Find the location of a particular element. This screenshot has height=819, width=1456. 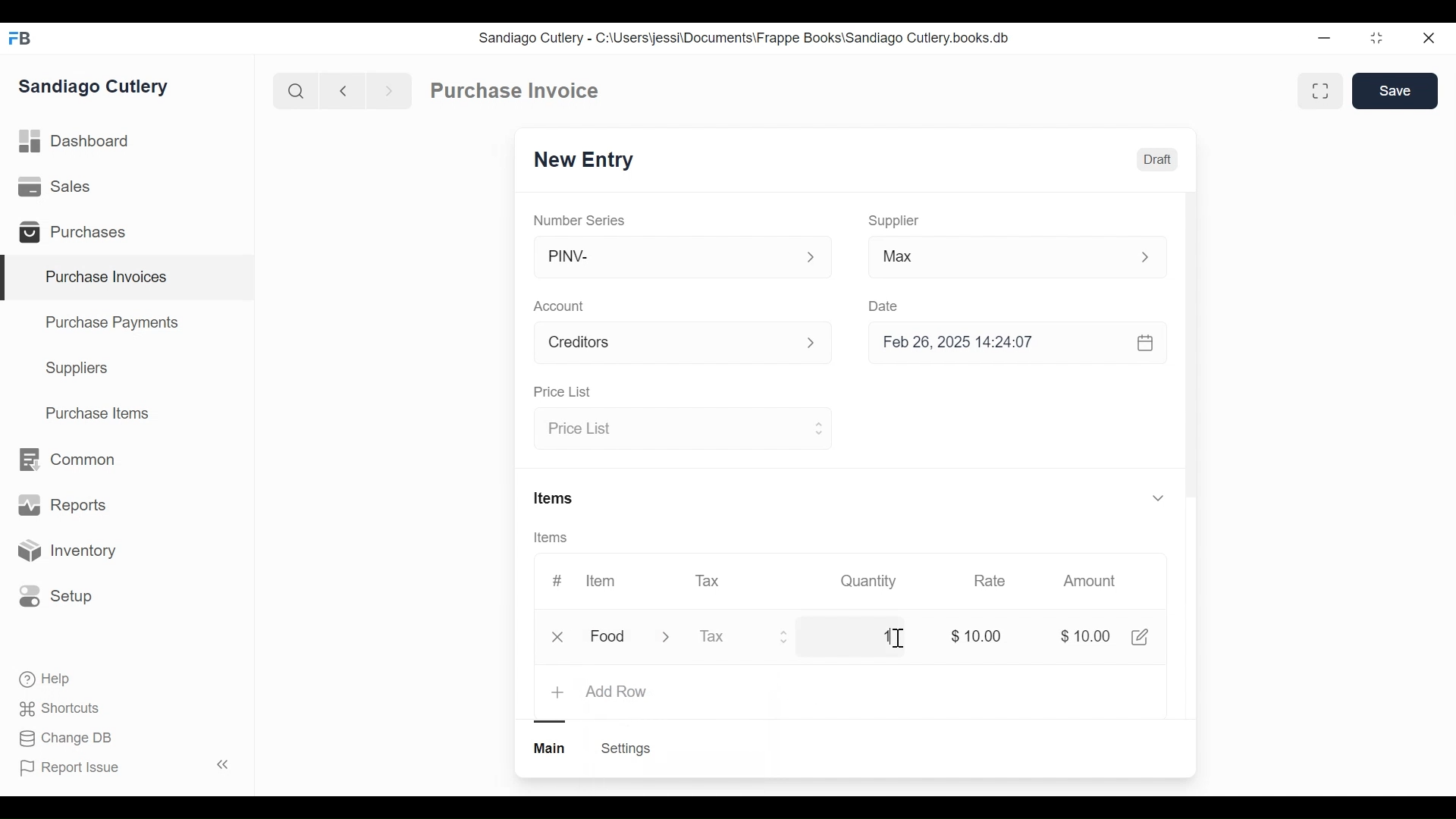

Sandiago Cutlery is located at coordinates (96, 88).